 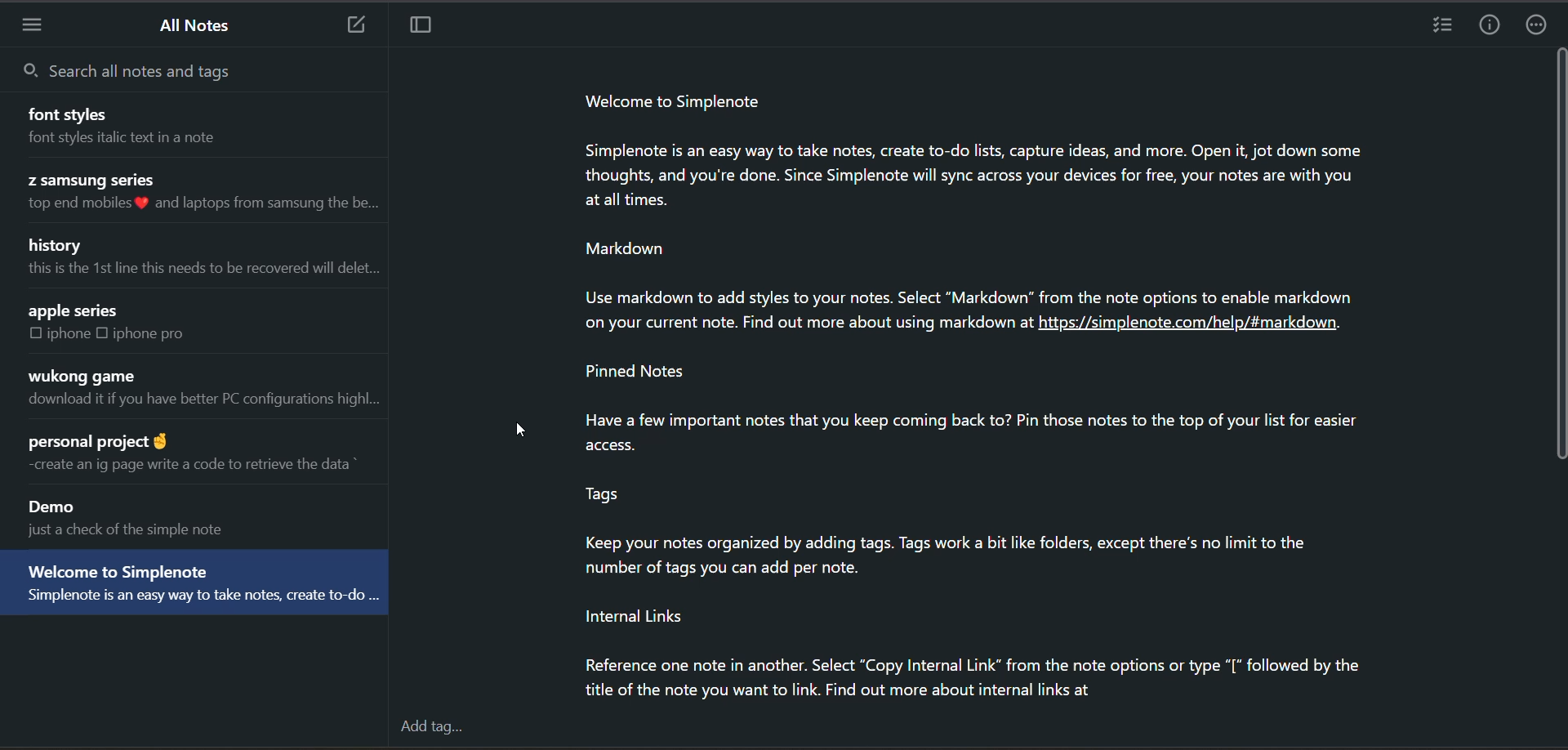 What do you see at coordinates (154, 533) in the screenshot?
I see `just a check of the simple note` at bounding box center [154, 533].